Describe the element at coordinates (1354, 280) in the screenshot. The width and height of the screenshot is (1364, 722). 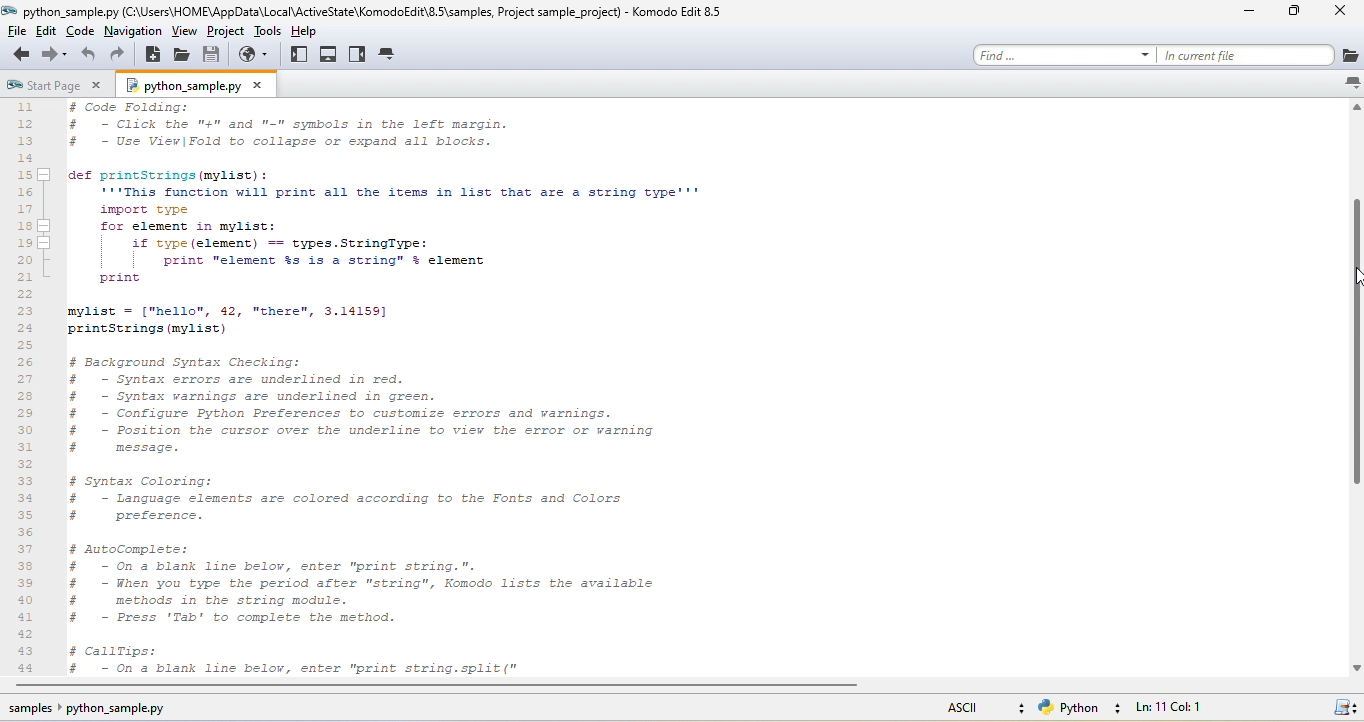
I see `cursor` at that location.